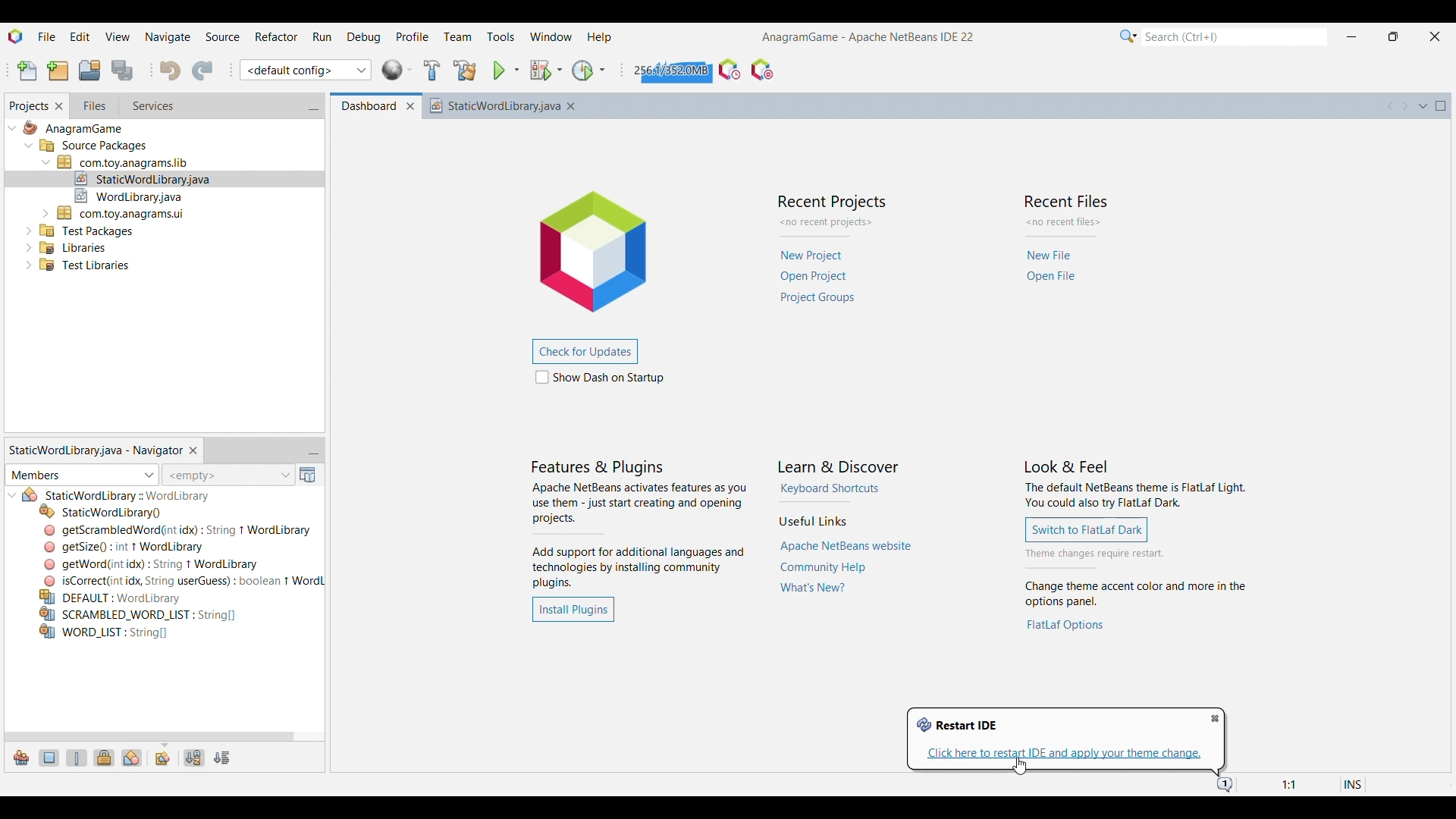 This screenshot has width=1456, height=819. What do you see at coordinates (167, 36) in the screenshot?
I see `Navigate menu` at bounding box center [167, 36].